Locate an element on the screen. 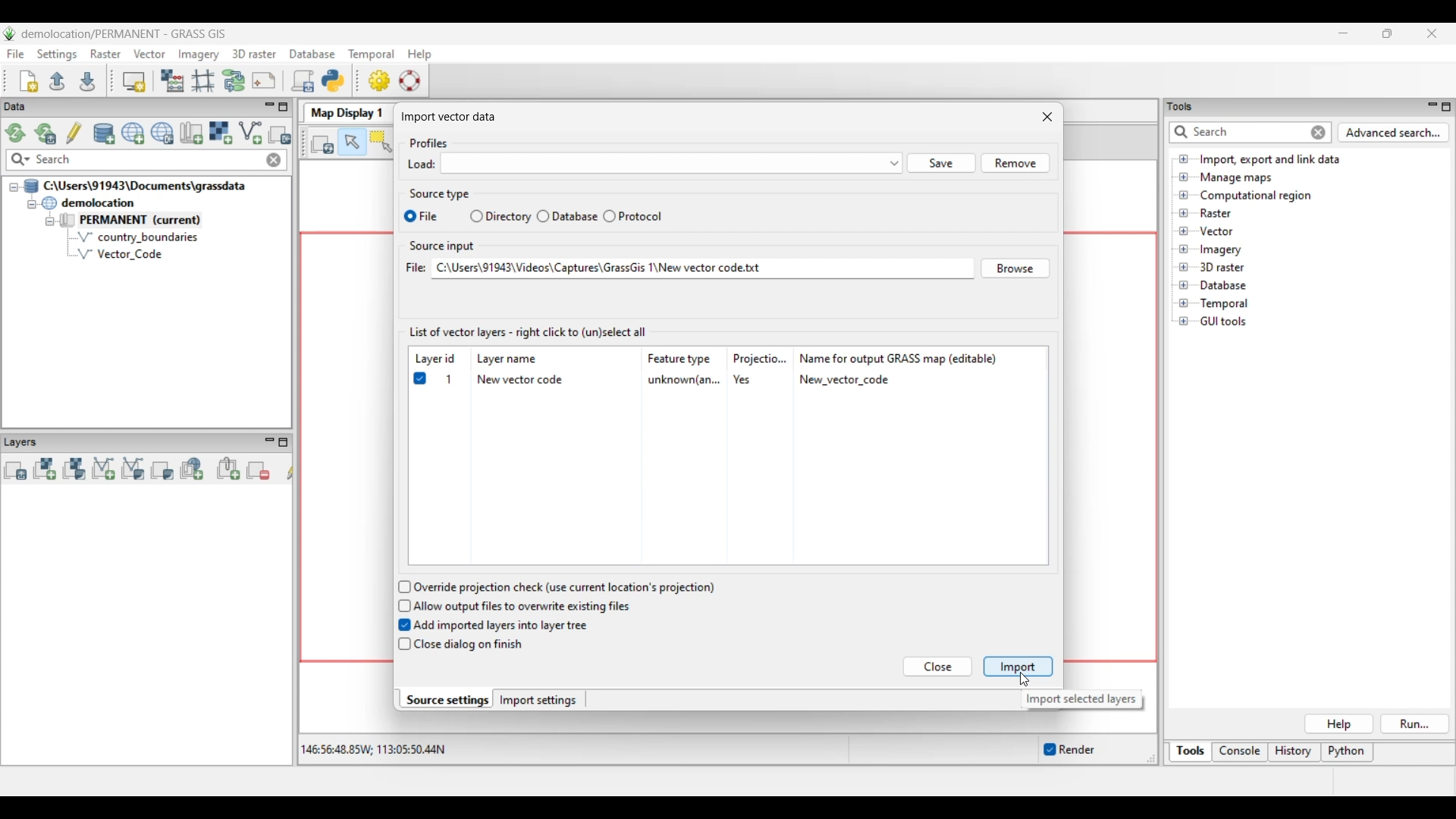 This screenshot has height=819, width=1456. Type in map for quick search is located at coordinates (148, 160).